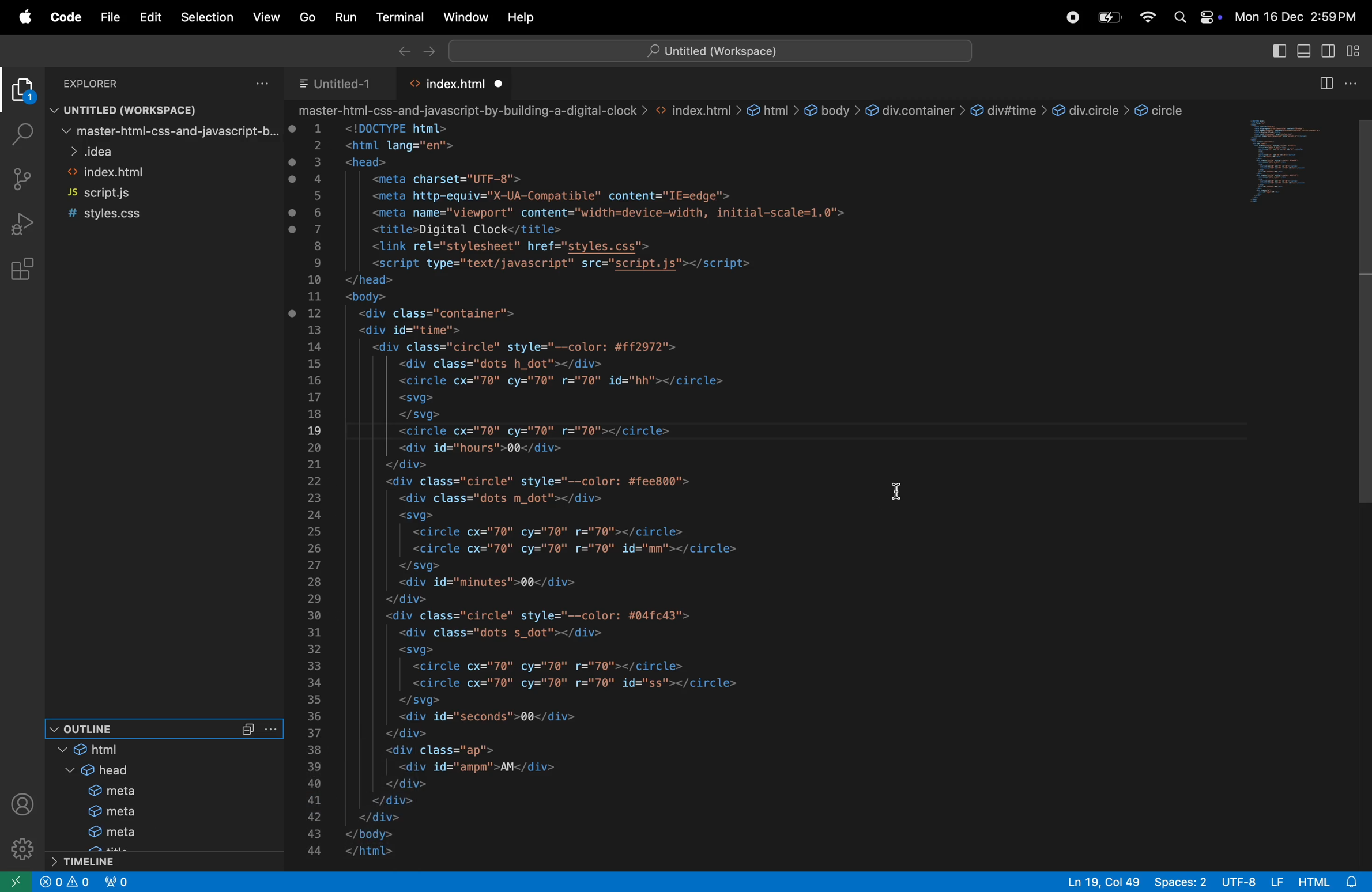 The width and height of the screenshot is (1372, 892). I want to click on code, so click(62, 17).